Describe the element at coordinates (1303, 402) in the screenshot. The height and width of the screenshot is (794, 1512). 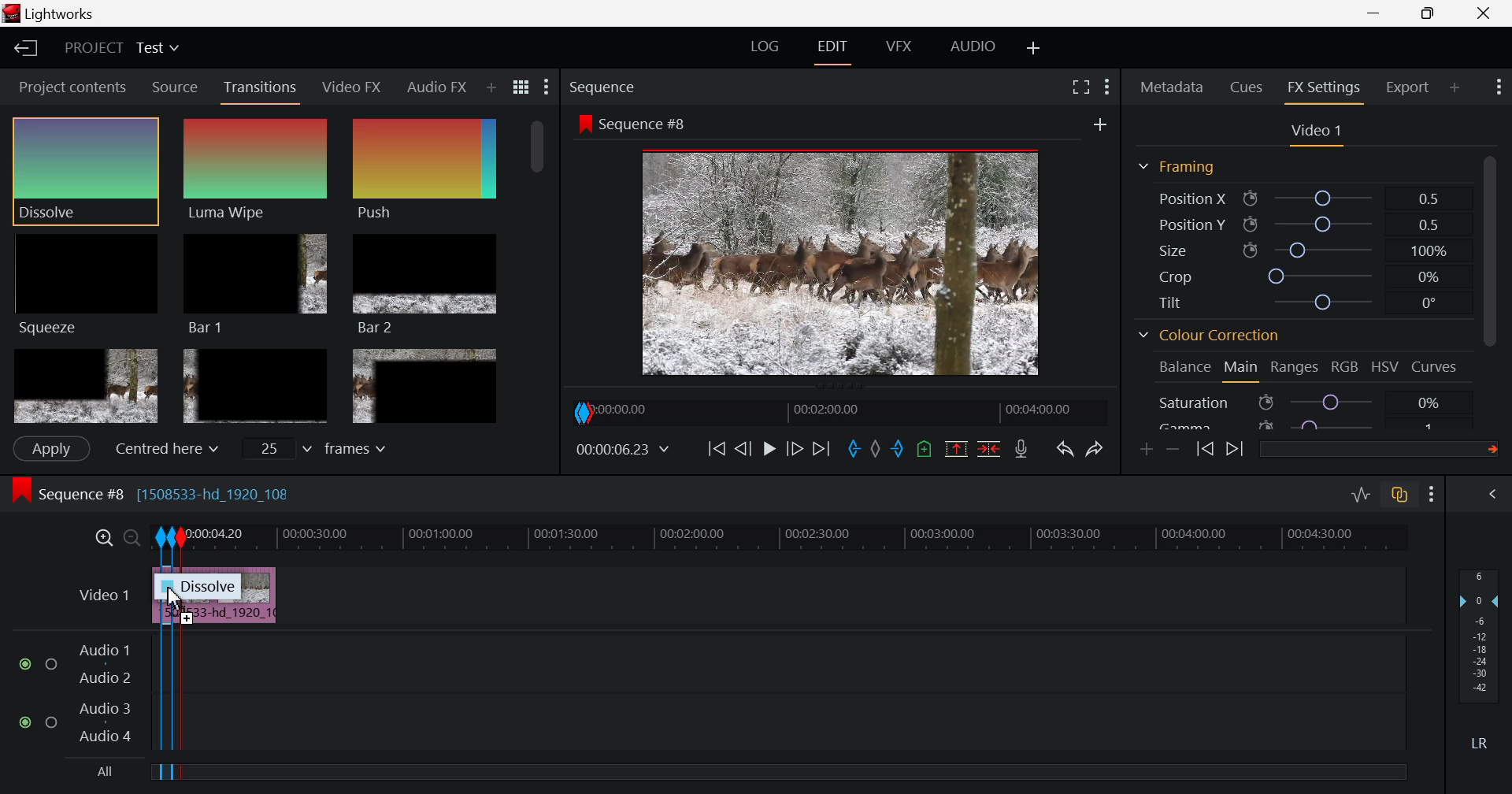
I see `Saturation` at that location.